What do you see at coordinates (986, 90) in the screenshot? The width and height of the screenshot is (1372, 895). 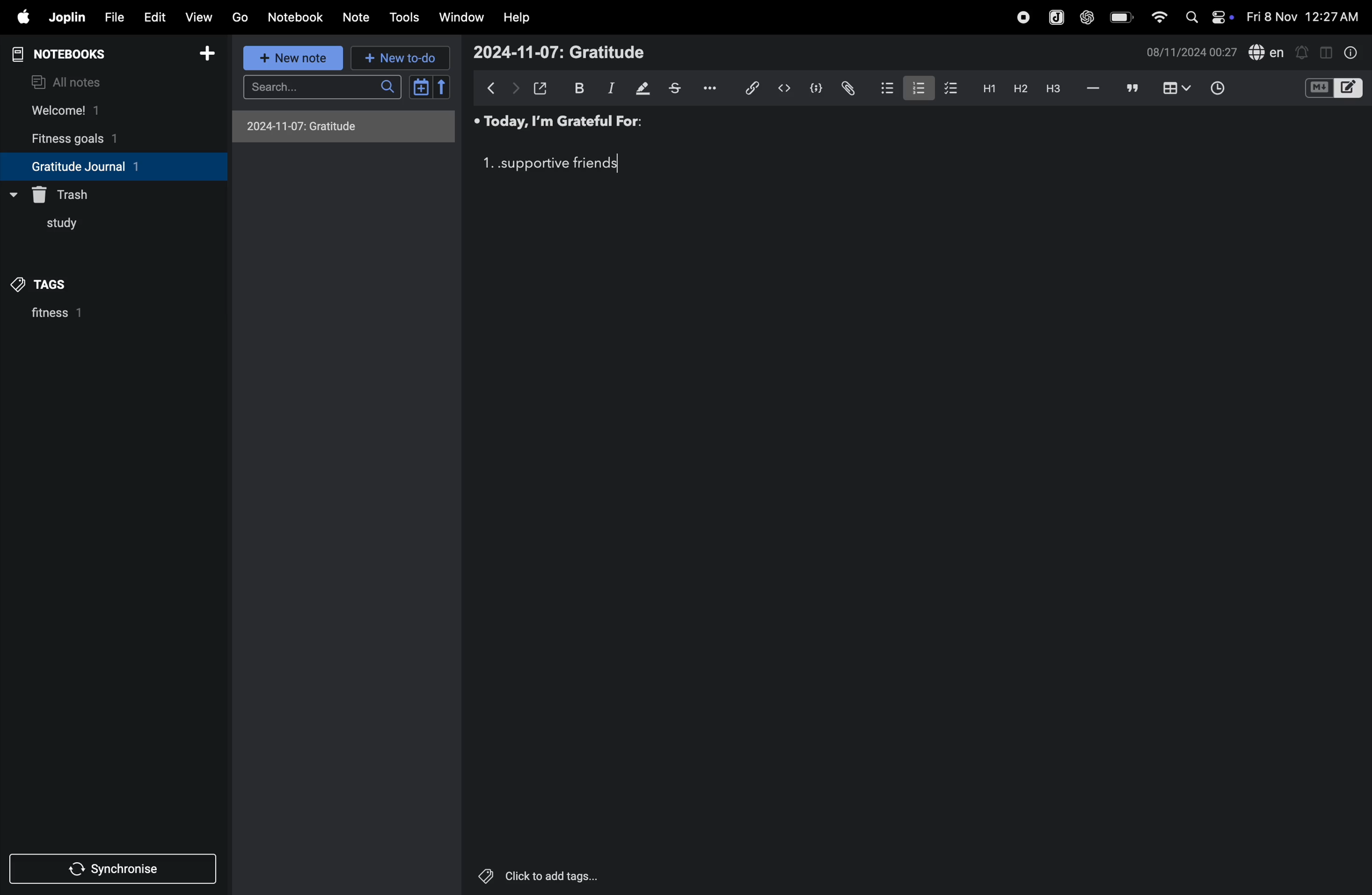 I see `heading 1` at bounding box center [986, 90].